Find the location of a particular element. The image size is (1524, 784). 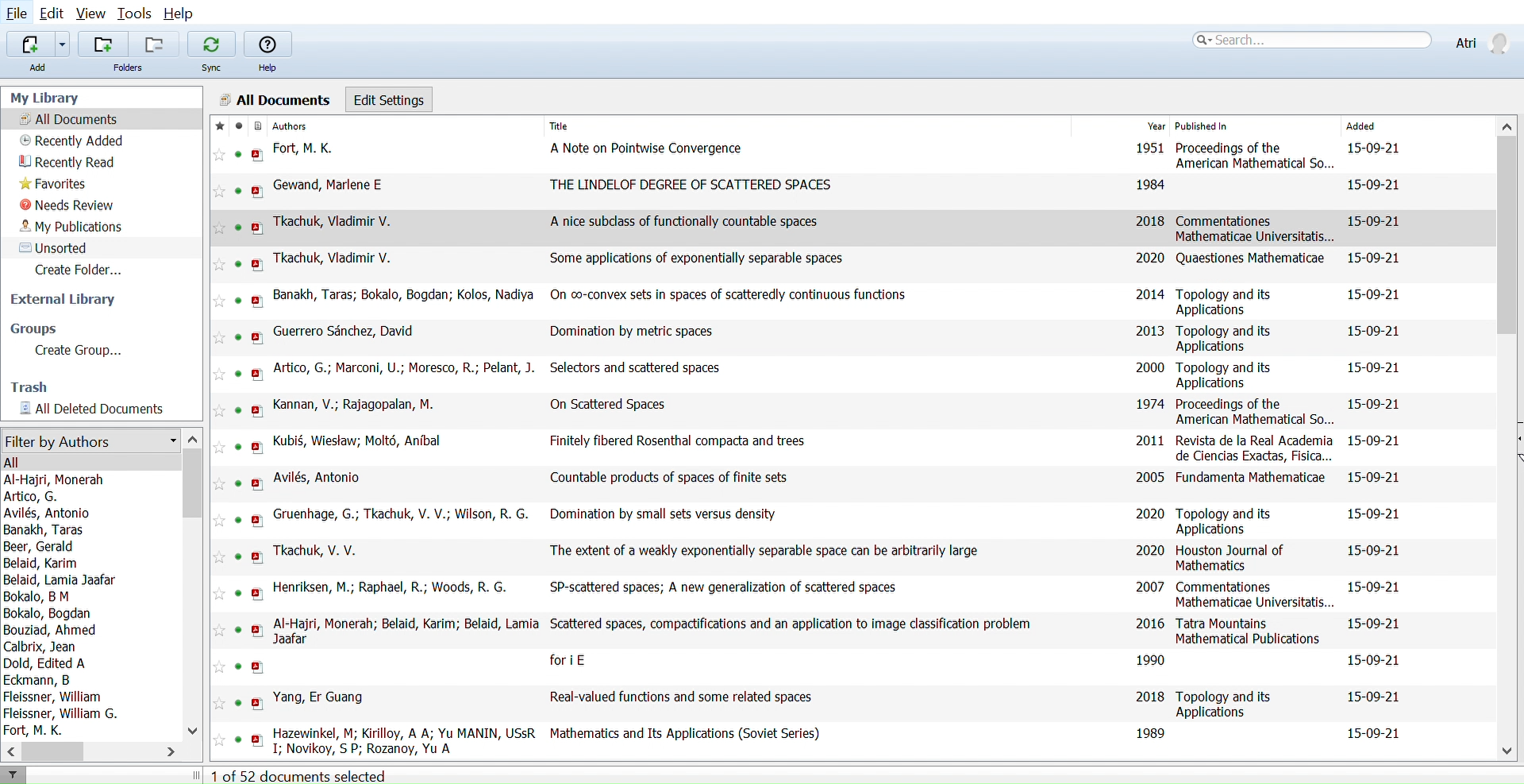

The extent of a weakly exponentially separable space can be arbitrarily large is located at coordinates (764, 551).